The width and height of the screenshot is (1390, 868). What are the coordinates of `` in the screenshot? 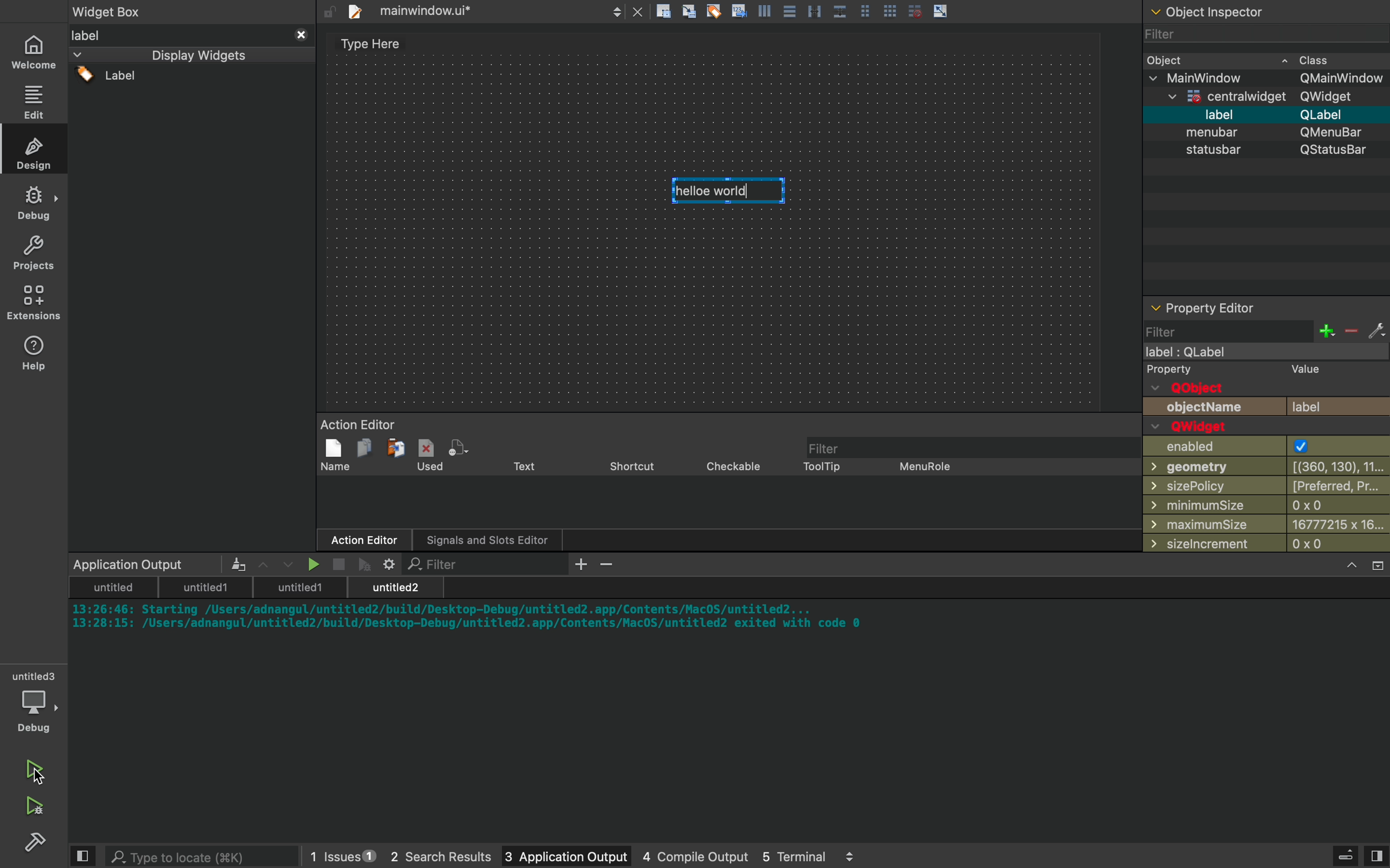 It's located at (798, 12).